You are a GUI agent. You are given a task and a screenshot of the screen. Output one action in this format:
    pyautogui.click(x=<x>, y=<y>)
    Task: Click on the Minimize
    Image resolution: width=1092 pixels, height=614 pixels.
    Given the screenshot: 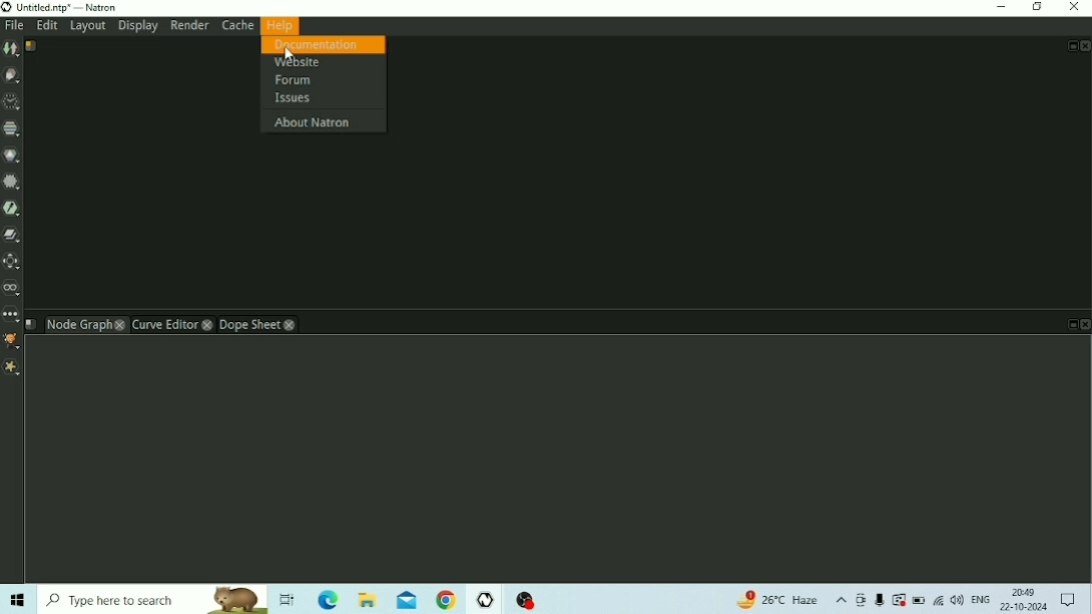 What is the action you would take?
    pyautogui.click(x=1002, y=6)
    